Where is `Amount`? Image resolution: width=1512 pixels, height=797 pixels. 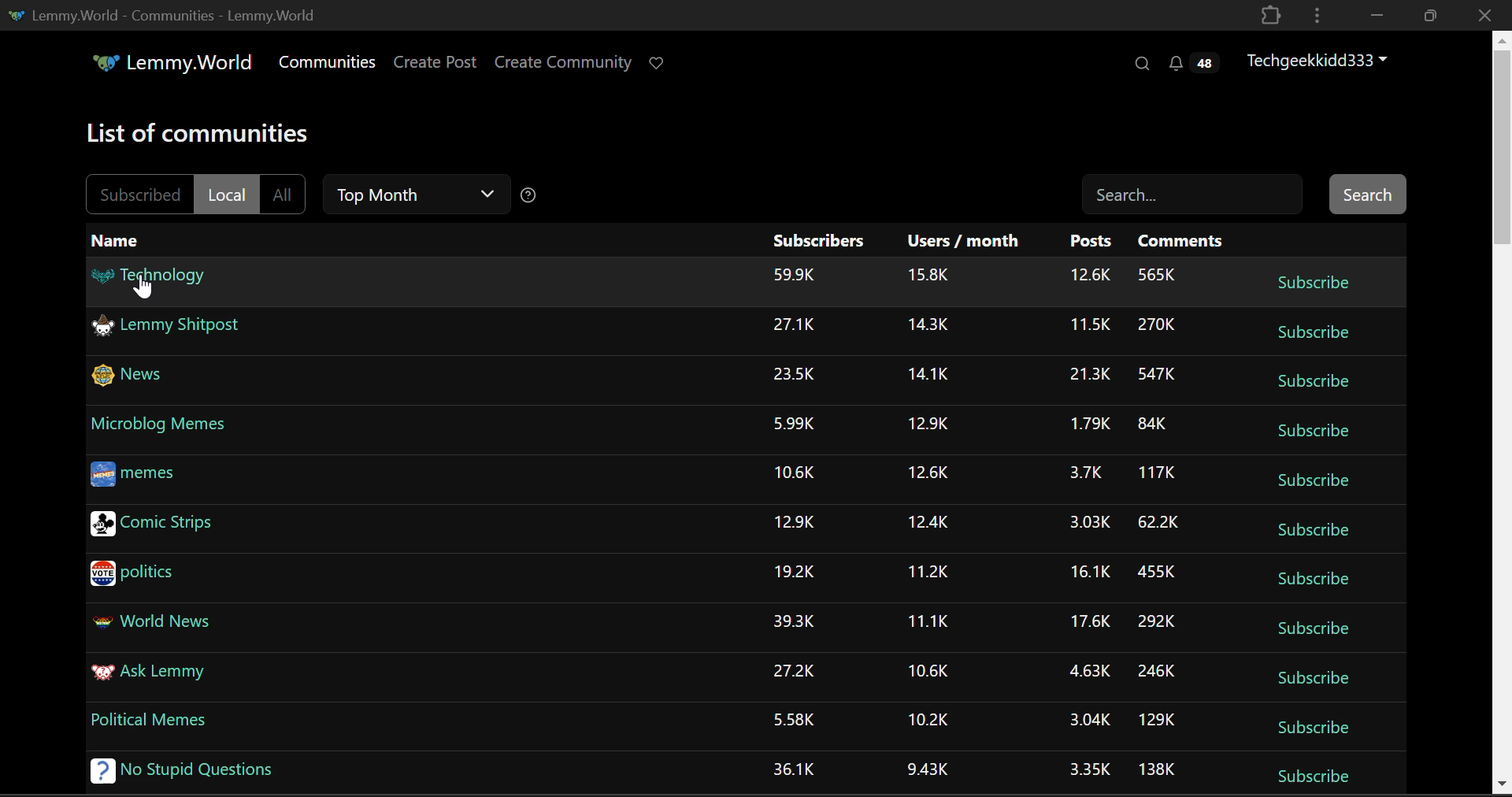 Amount is located at coordinates (1162, 369).